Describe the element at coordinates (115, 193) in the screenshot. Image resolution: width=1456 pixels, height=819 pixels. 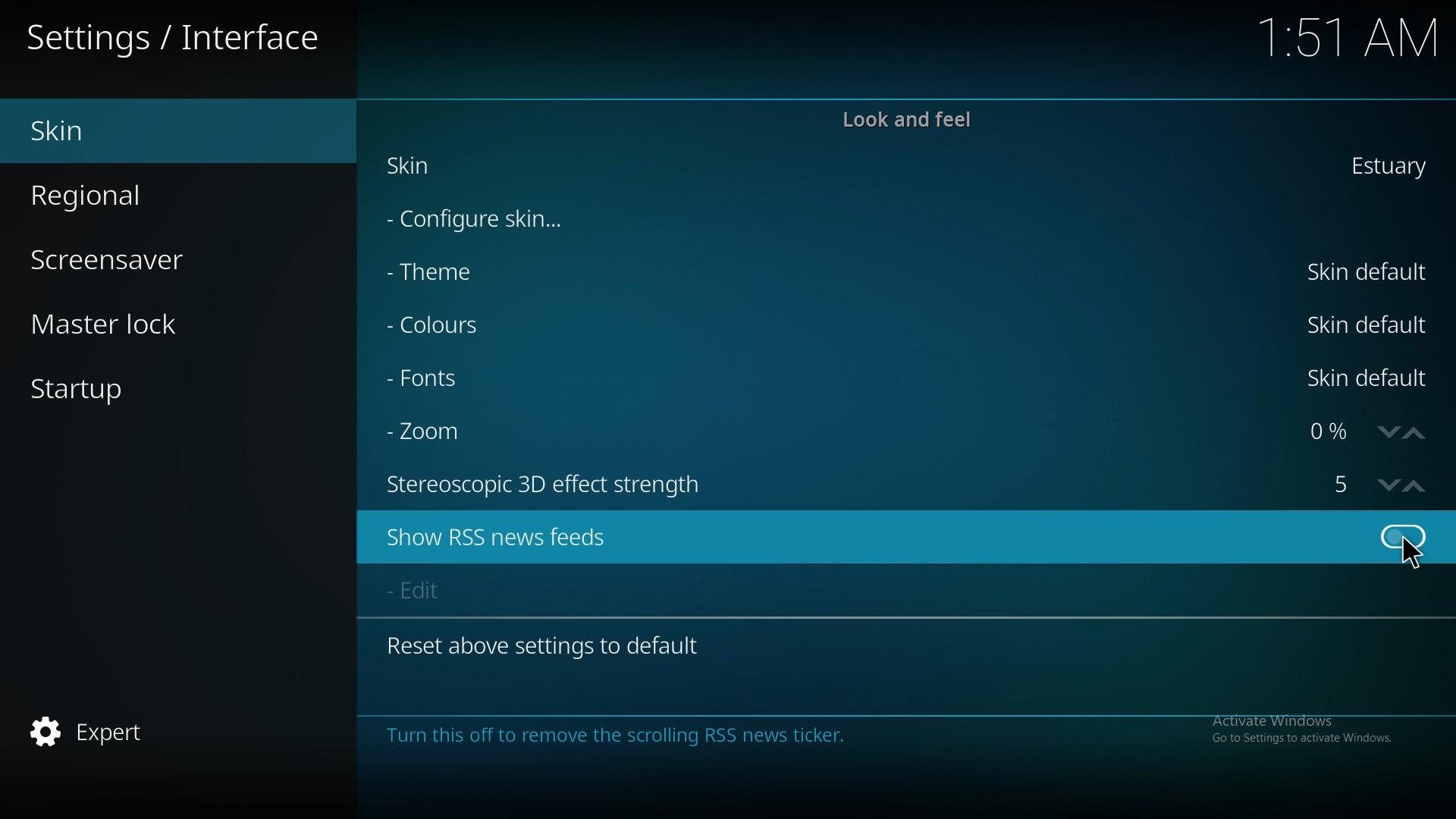
I see `regional` at that location.